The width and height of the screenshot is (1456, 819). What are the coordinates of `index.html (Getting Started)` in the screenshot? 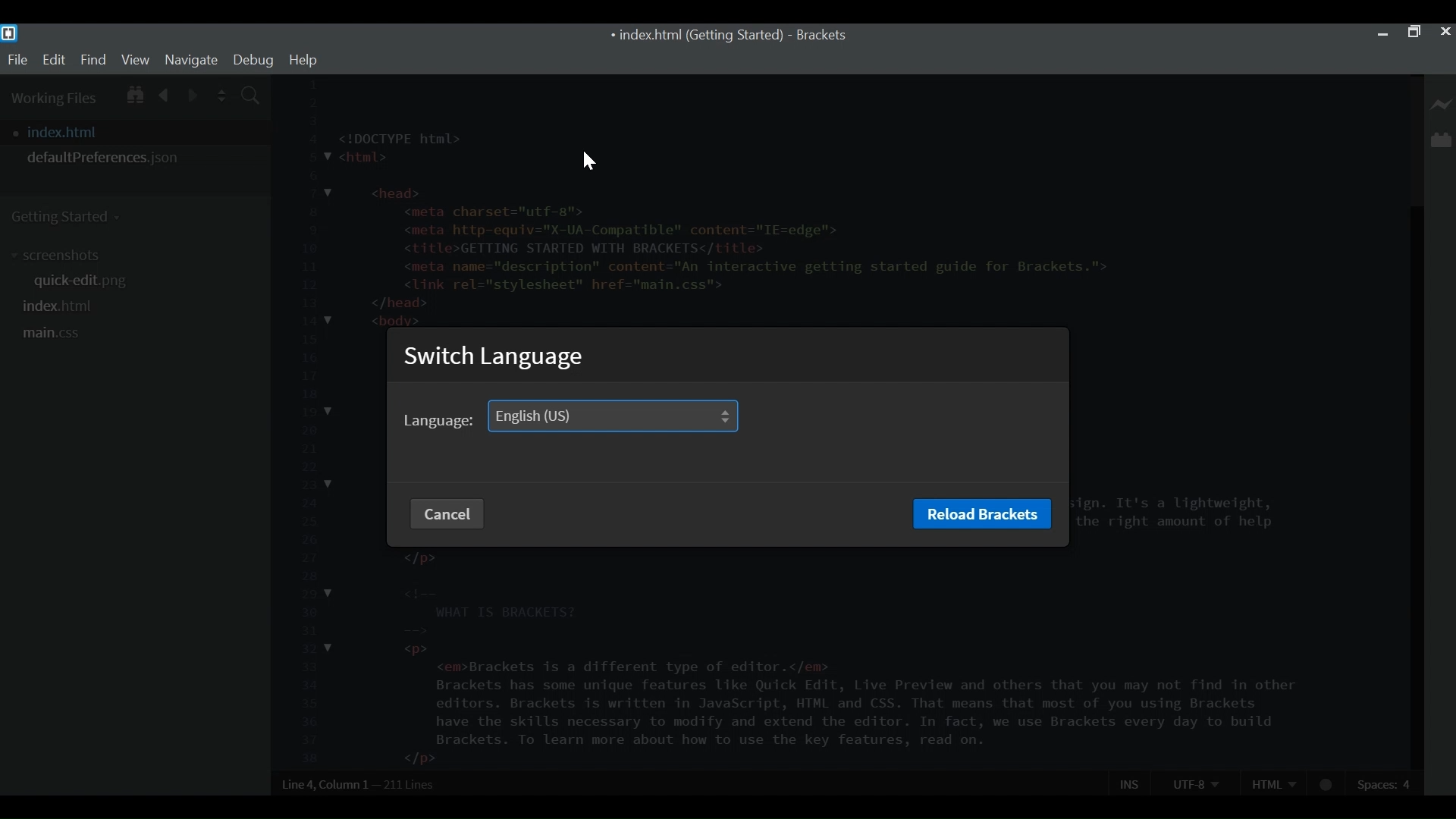 It's located at (695, 36).